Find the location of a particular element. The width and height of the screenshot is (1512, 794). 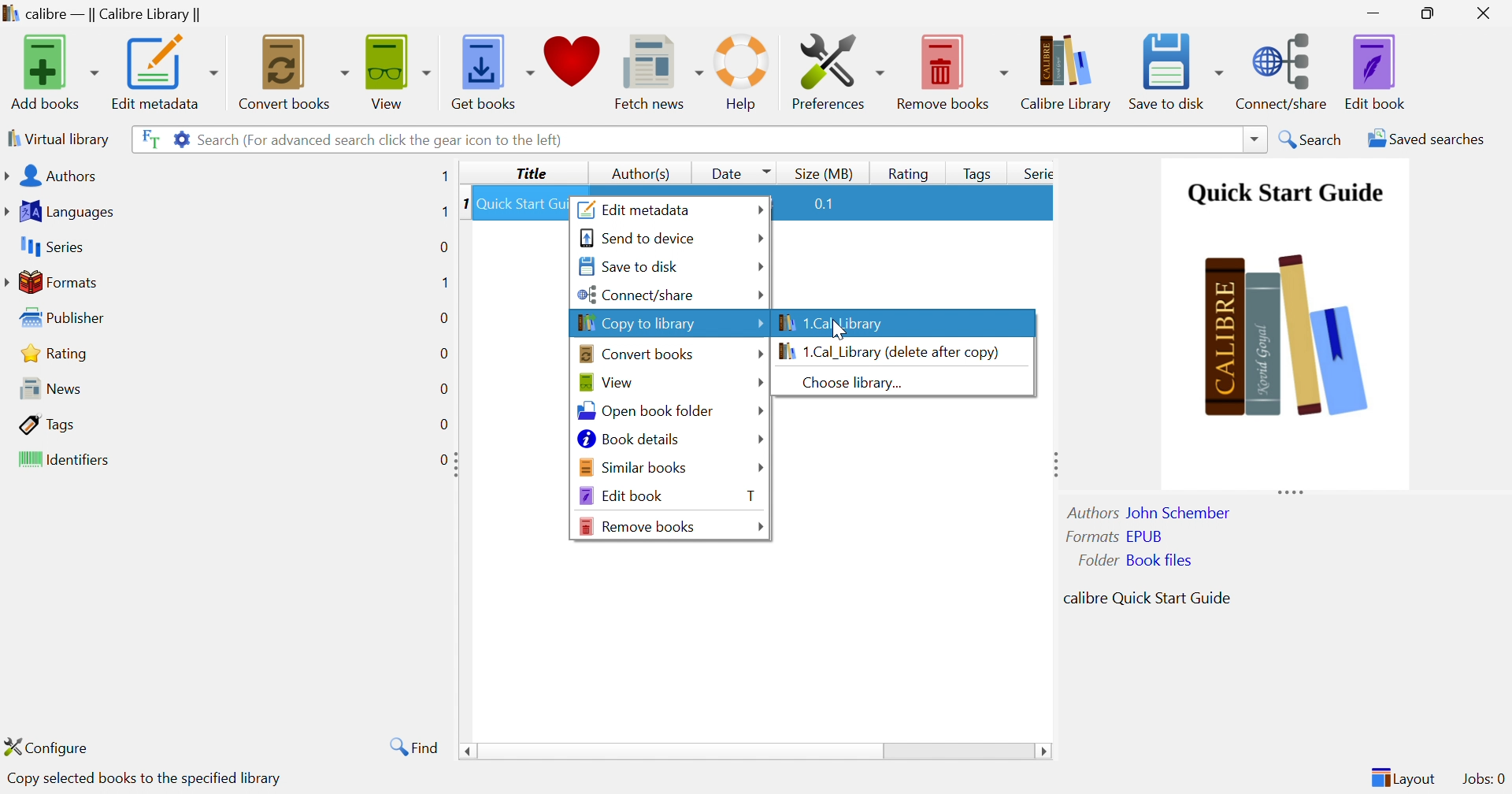

Drop Down is located at coordinates (761, 325).